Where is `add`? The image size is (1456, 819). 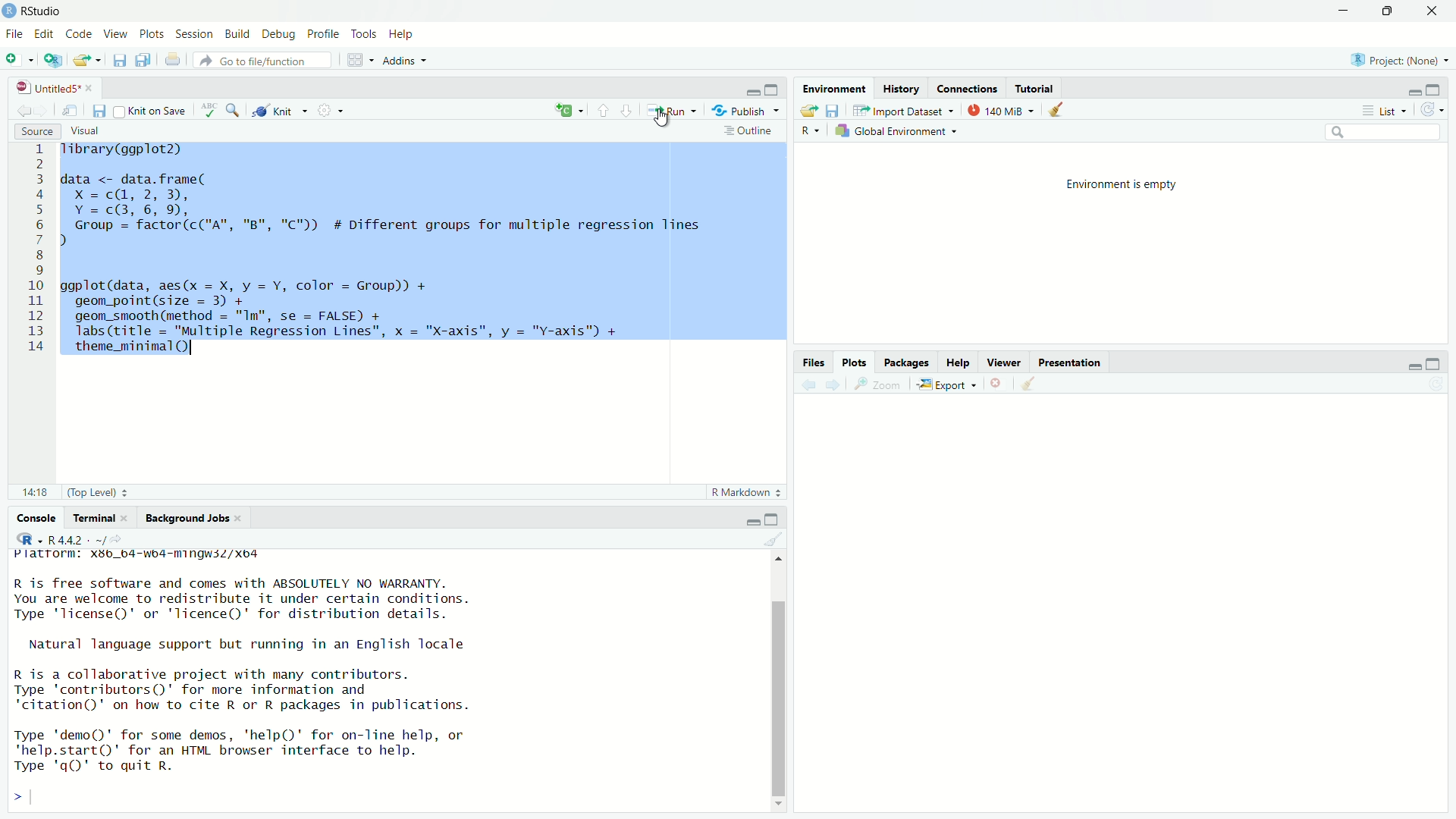 add is located at coordinates (570, 109).